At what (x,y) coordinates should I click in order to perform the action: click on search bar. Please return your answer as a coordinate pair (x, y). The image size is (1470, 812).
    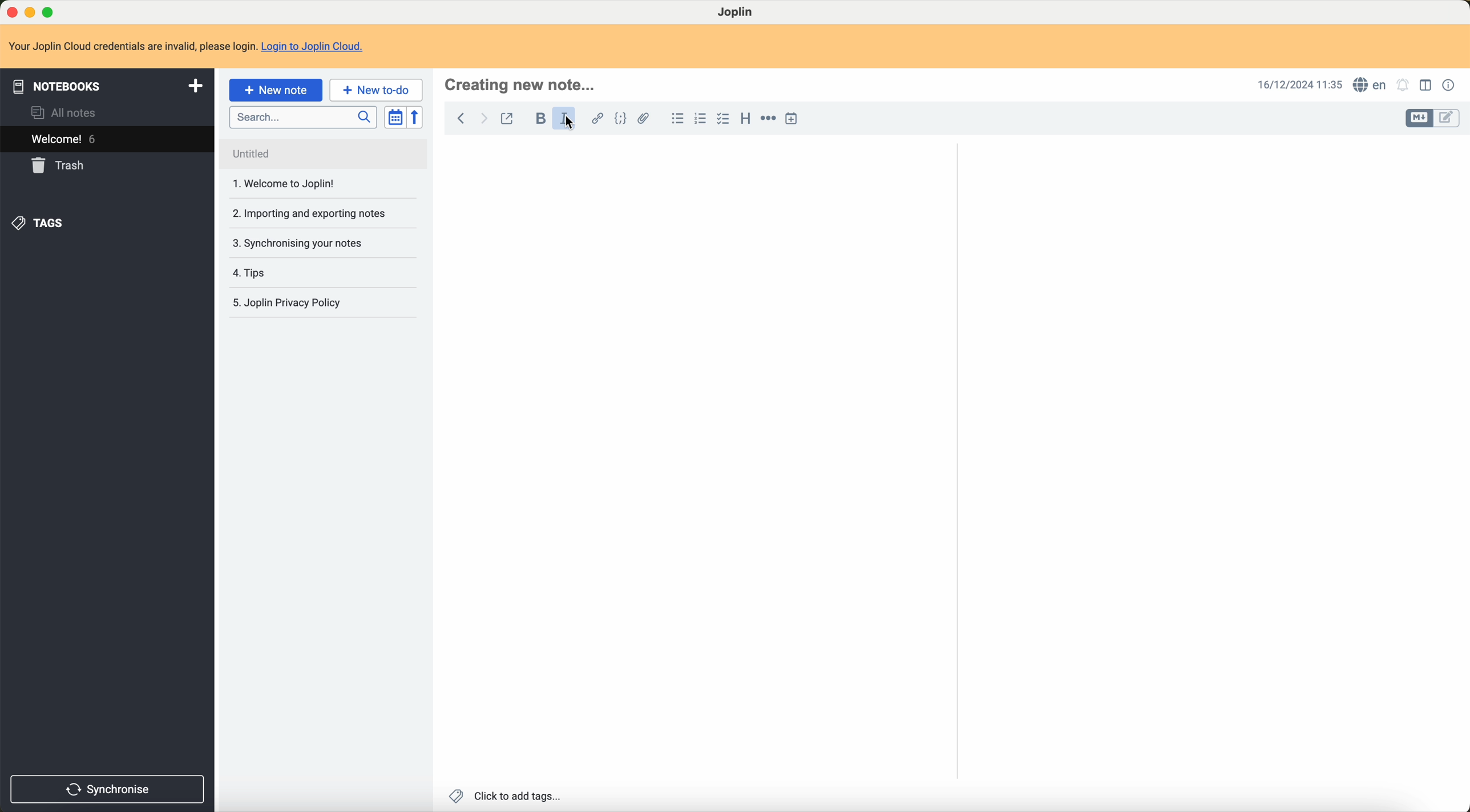
    Looking at the image, I should click on (300, 116).